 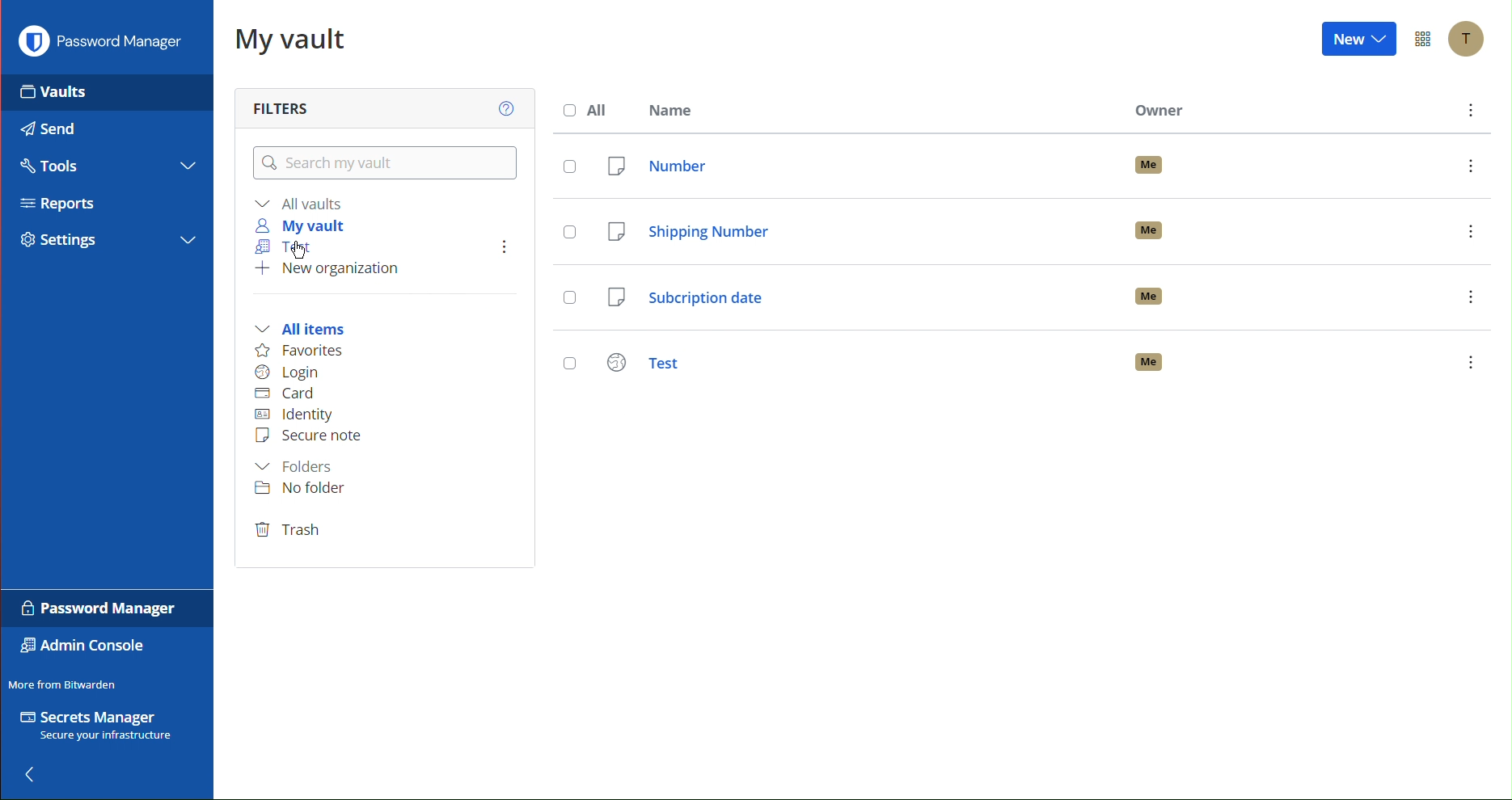 What do you see at coordinates (54, 204) in the screenshot?
I see `Reports` at bounding box center [54, 204].